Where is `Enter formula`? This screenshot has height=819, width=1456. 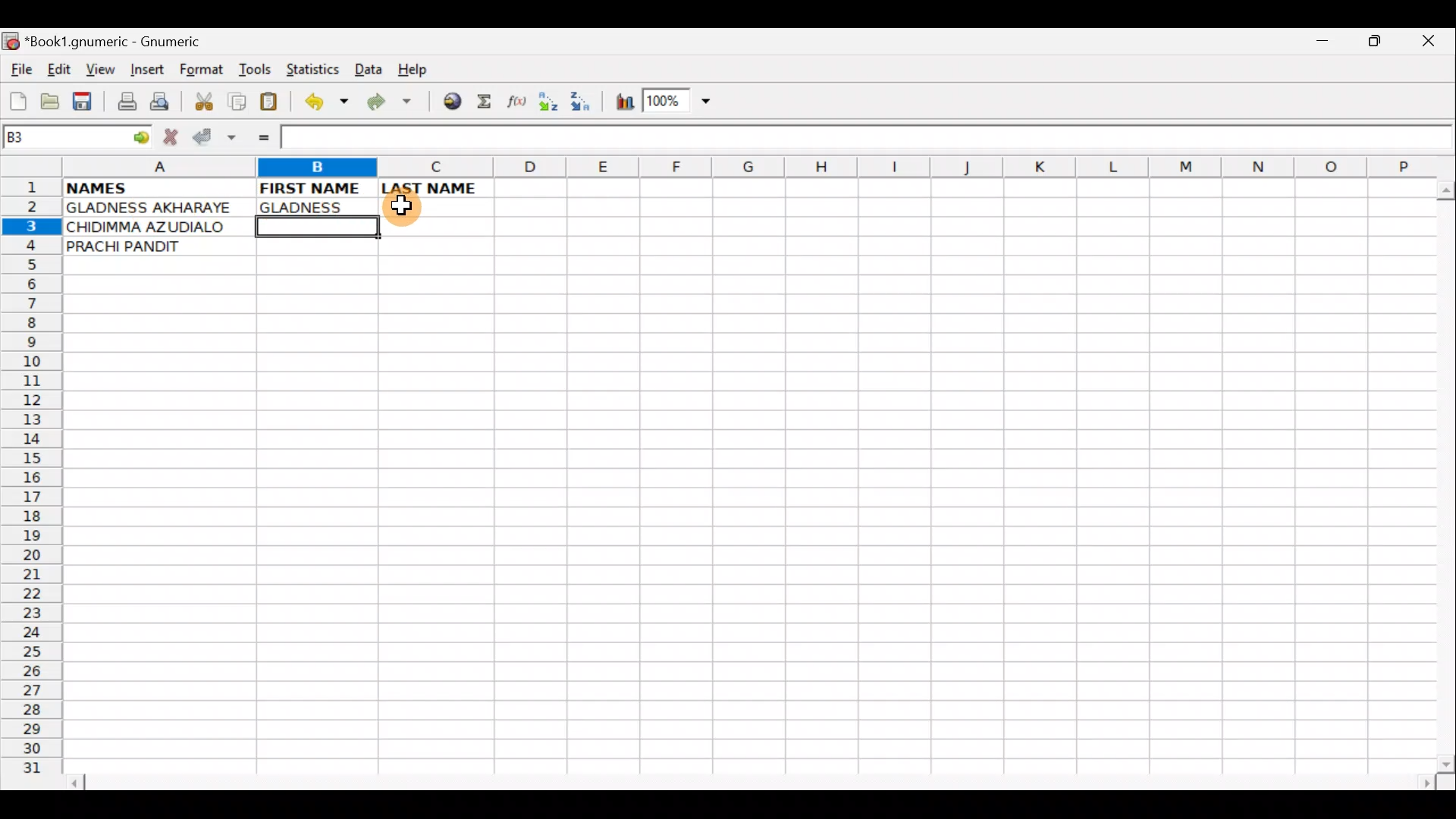
Enter formula is located at coordinates (256, 137).